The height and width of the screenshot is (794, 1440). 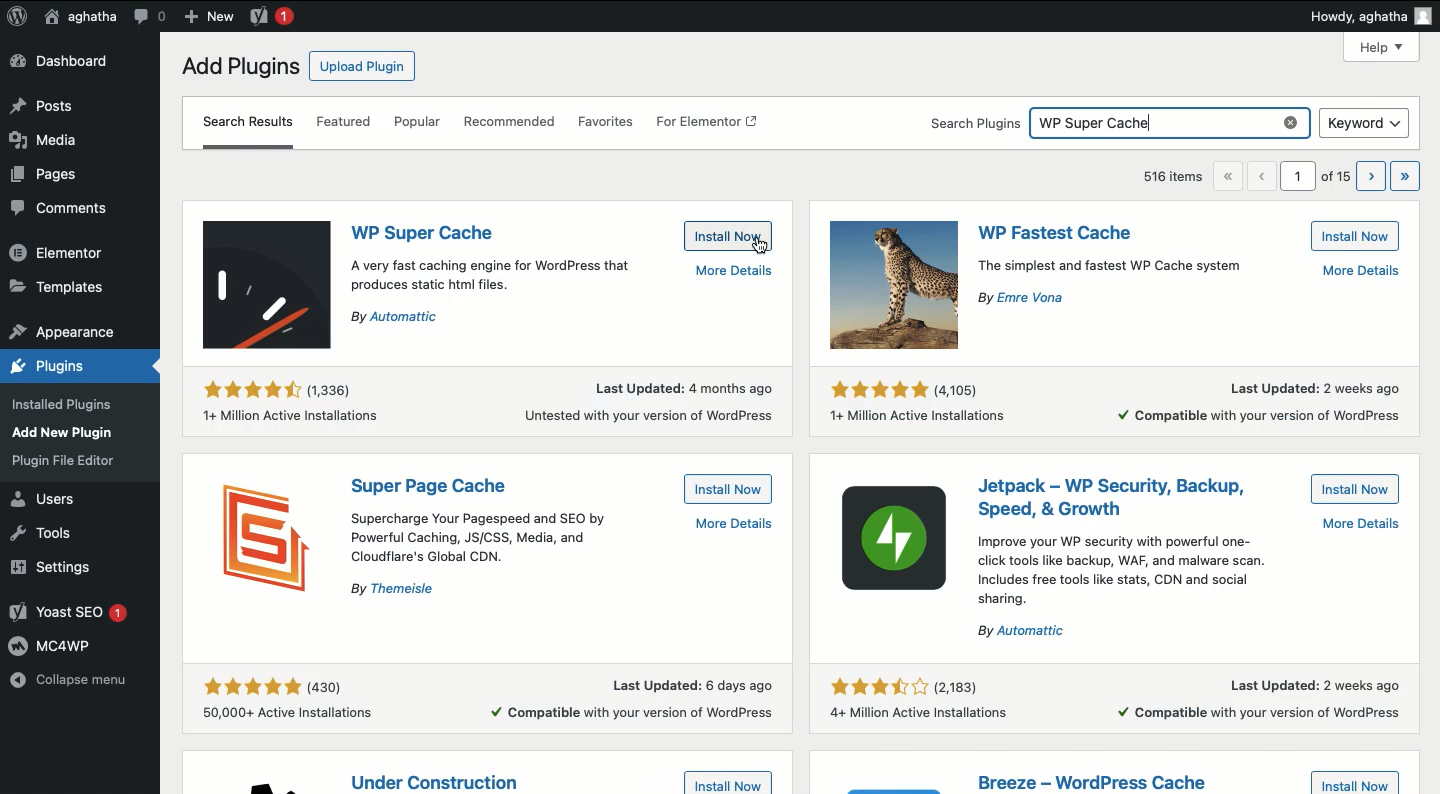 I want to click on MC4WP, so click(x=53, y=646).